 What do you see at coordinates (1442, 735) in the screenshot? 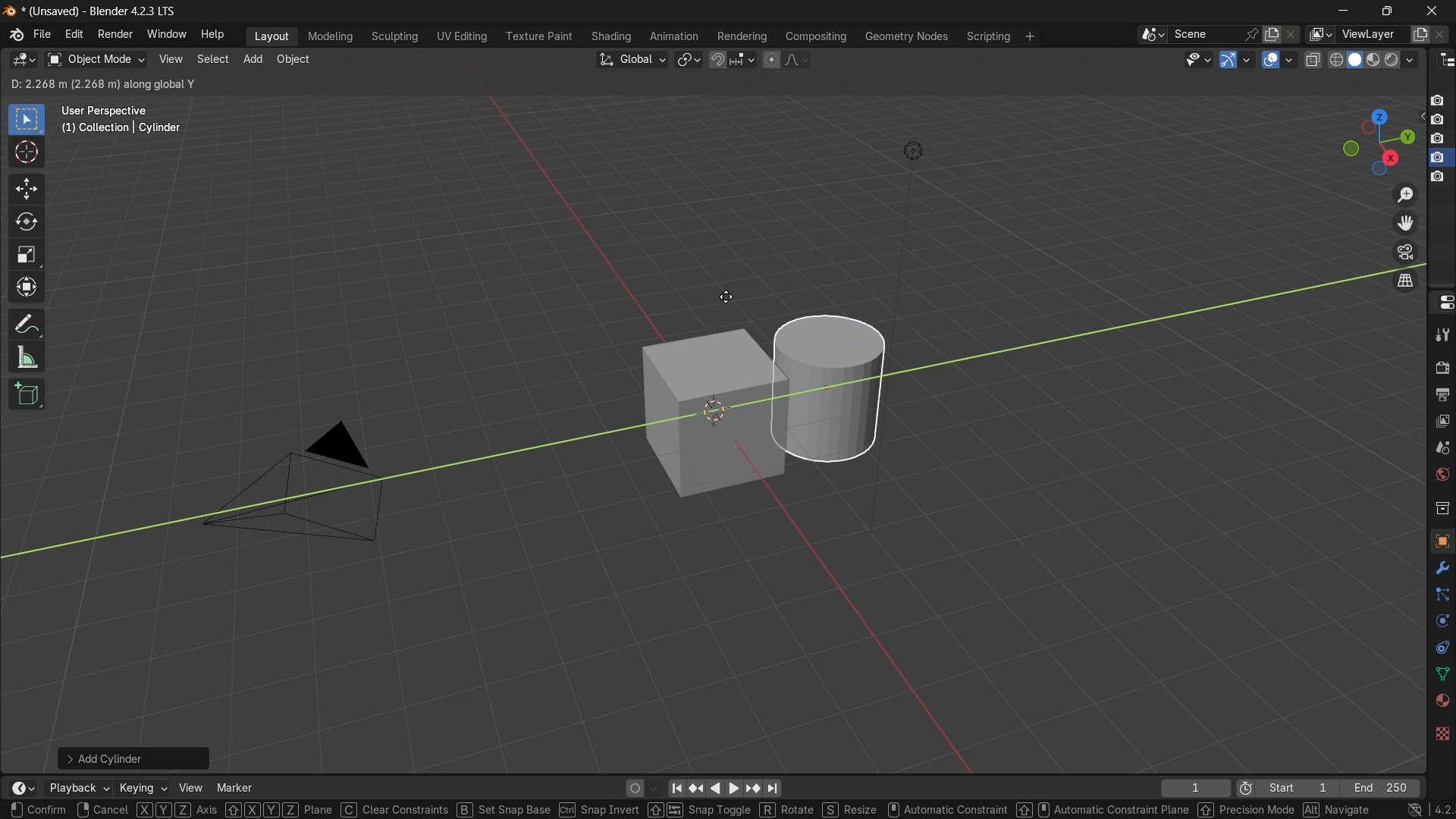
I see `background` at bounding box center [1442, 735].